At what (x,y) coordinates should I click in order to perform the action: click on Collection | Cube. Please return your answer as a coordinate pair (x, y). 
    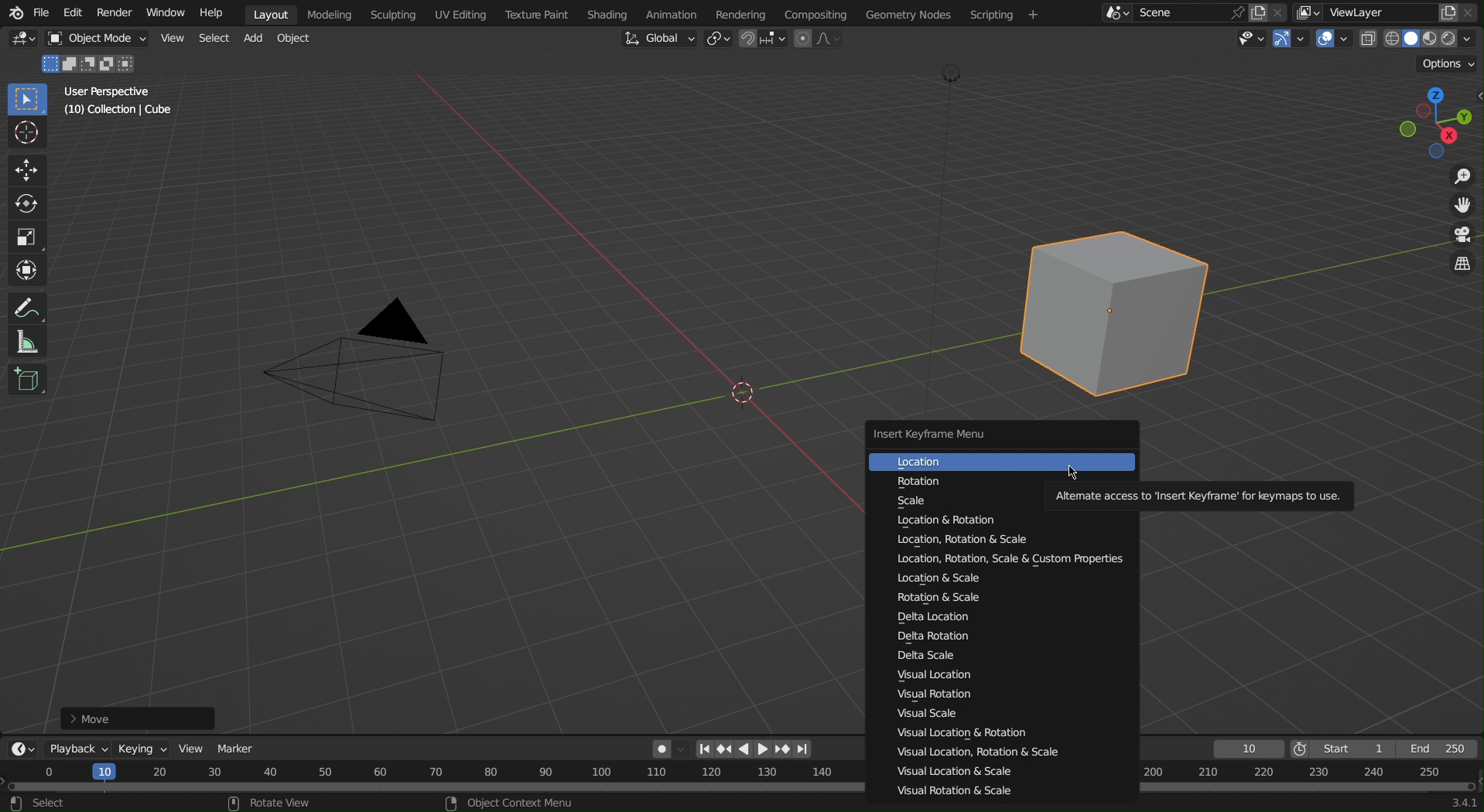
    Looking at the image, I should click on (120, 112).